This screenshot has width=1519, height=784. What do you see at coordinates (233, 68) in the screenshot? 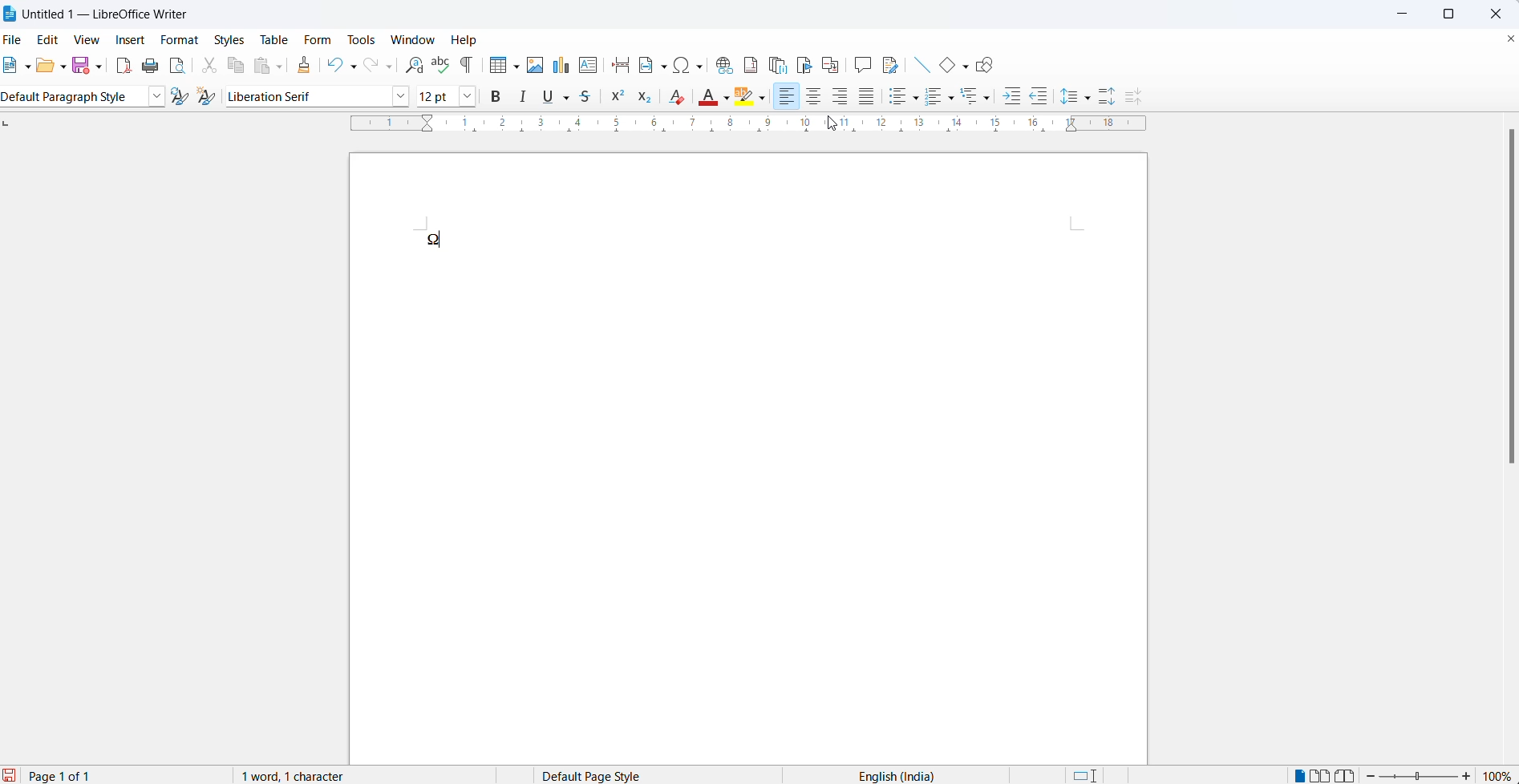
I see `copy` at bounding box center [233, 68].